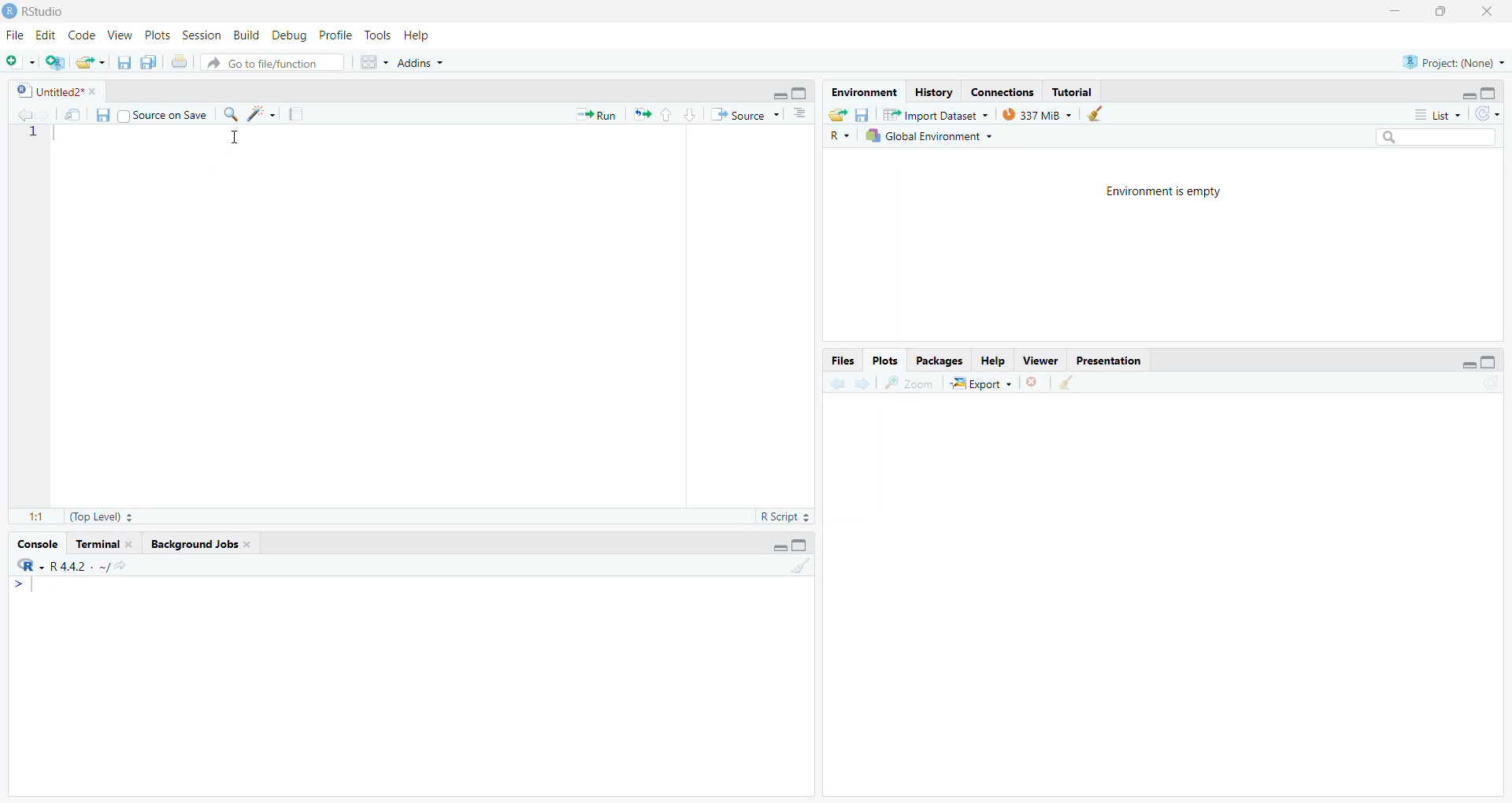  Describe the element at coordinates (45, 36) in the screenshot. I see `Edit` at that location.